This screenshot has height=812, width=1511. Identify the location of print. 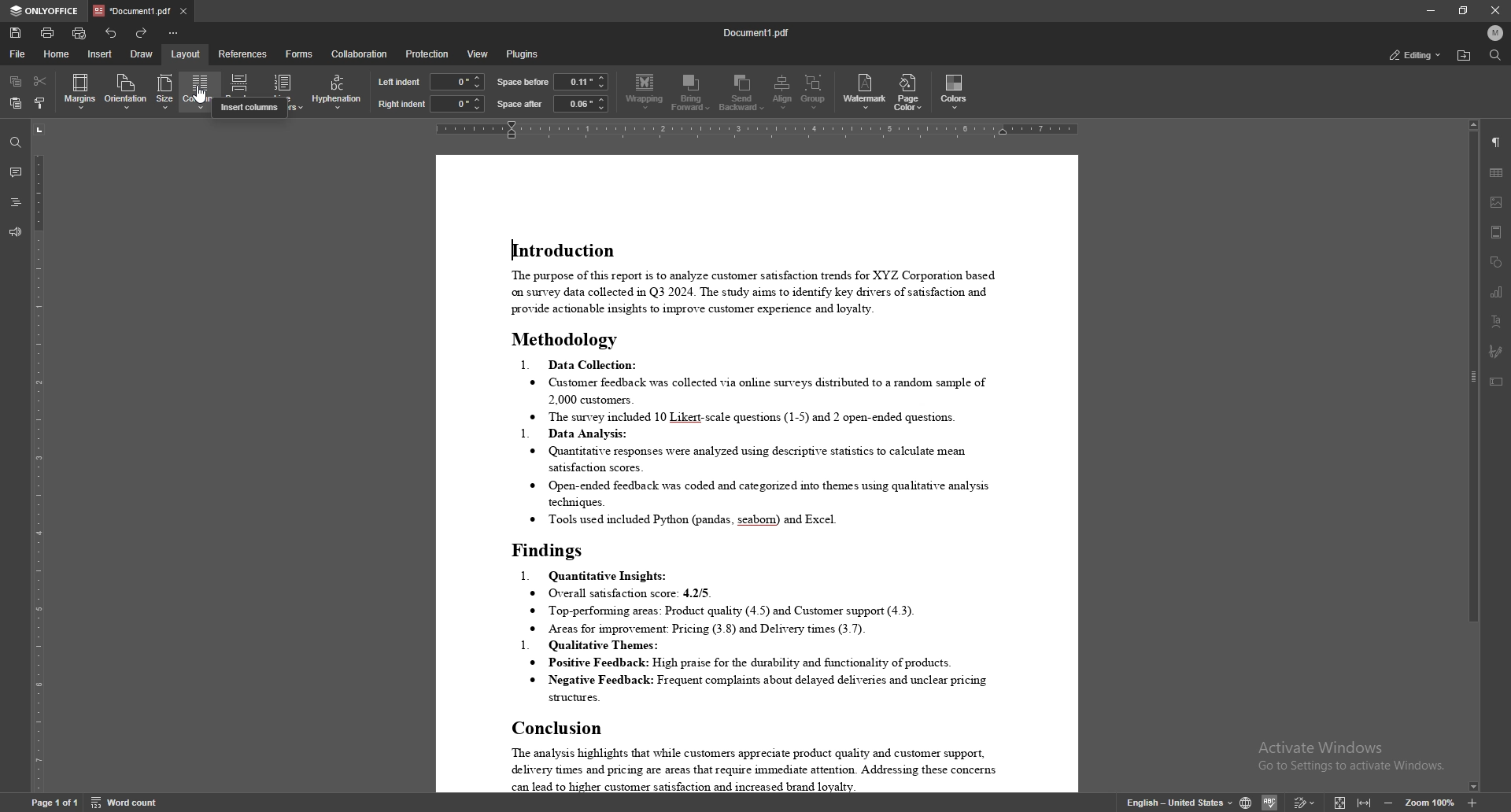
(47, 33).